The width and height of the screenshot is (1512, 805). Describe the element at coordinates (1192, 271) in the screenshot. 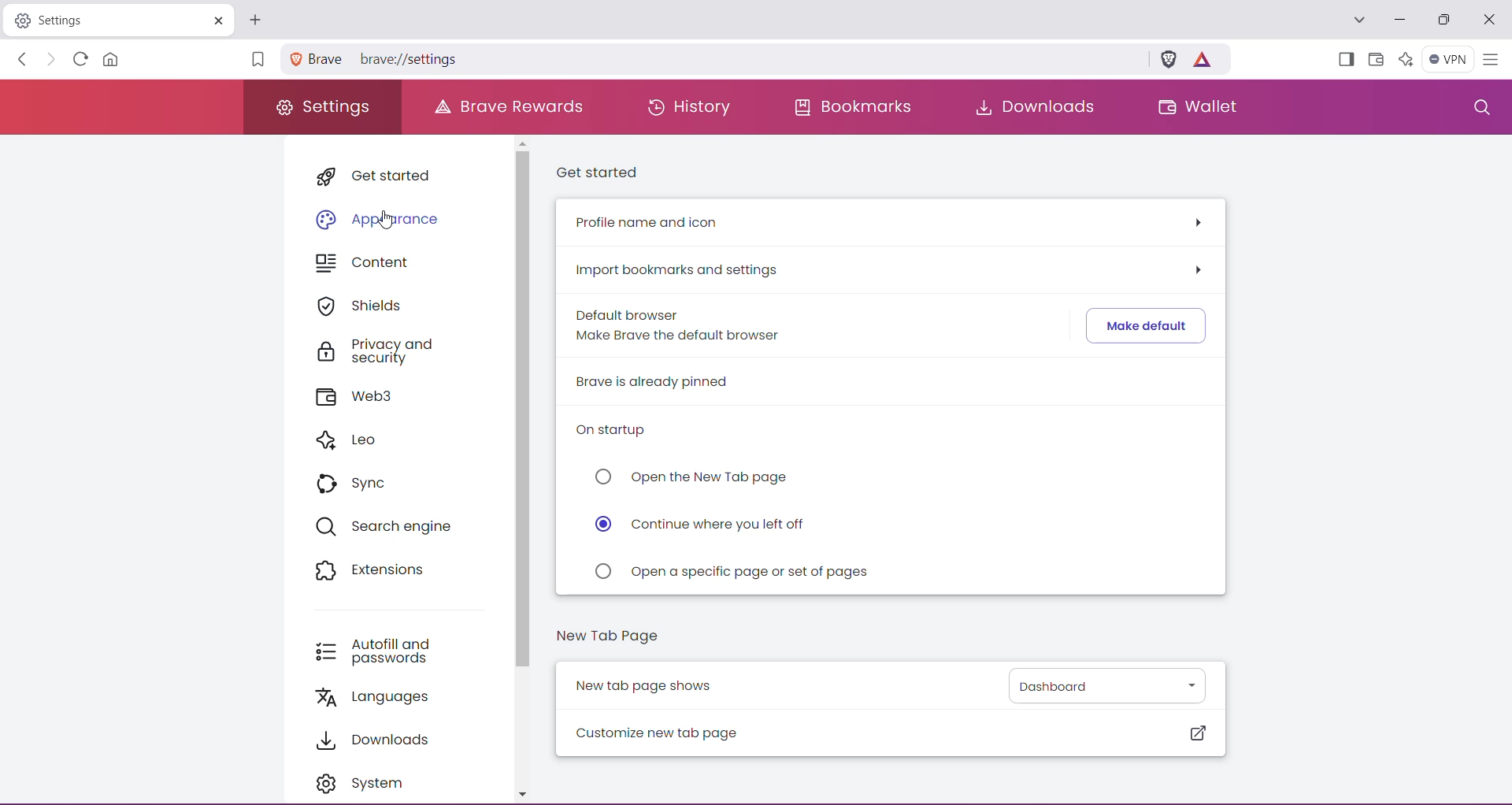

I see `Click to see more options` at that location.